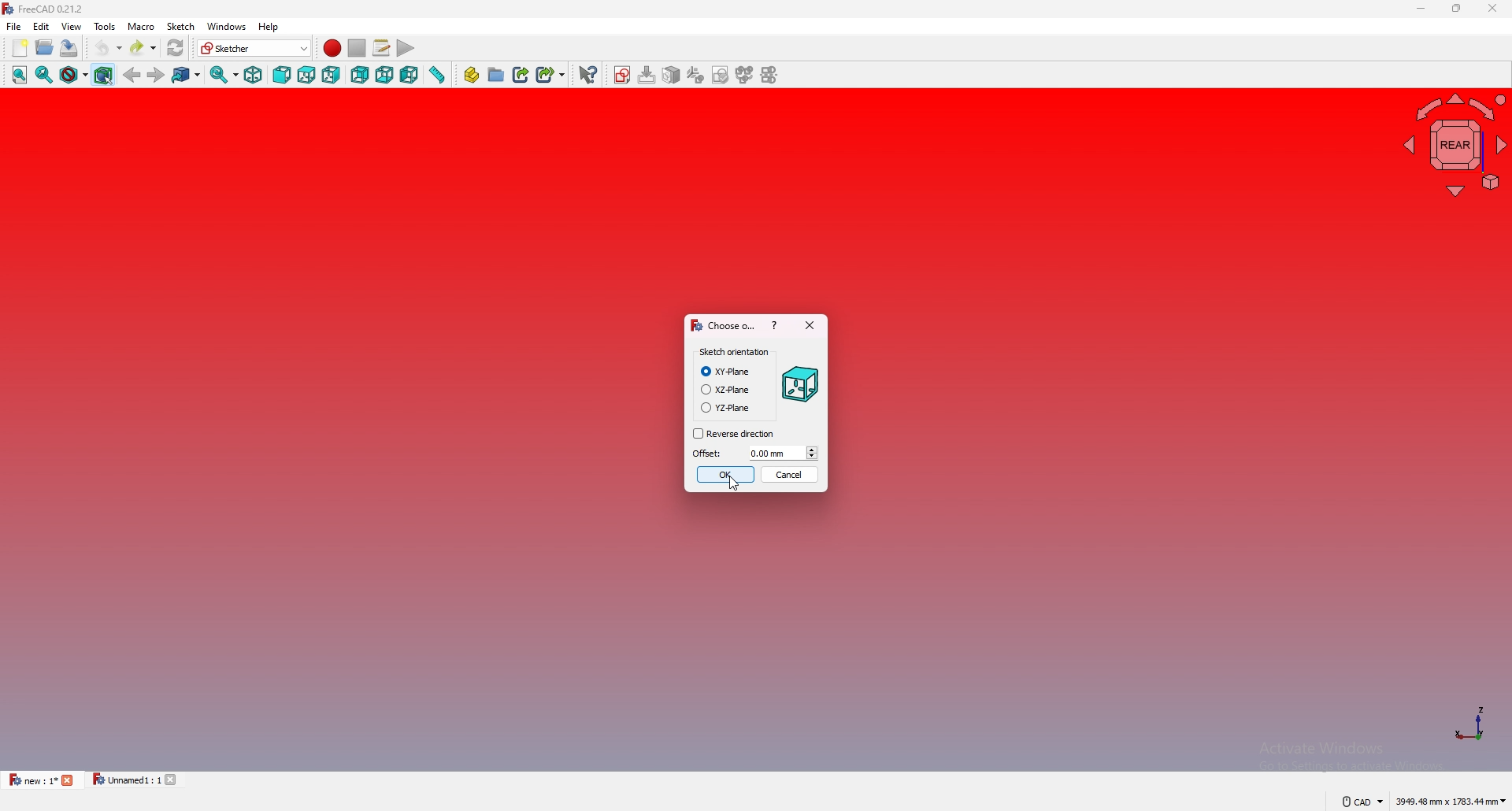 Image resolution: width=1512 pixels, height=811 pixels. What do you see at coordinates (332, 75) in the screenshot?
I see `right` at bounding box center [332, 75].